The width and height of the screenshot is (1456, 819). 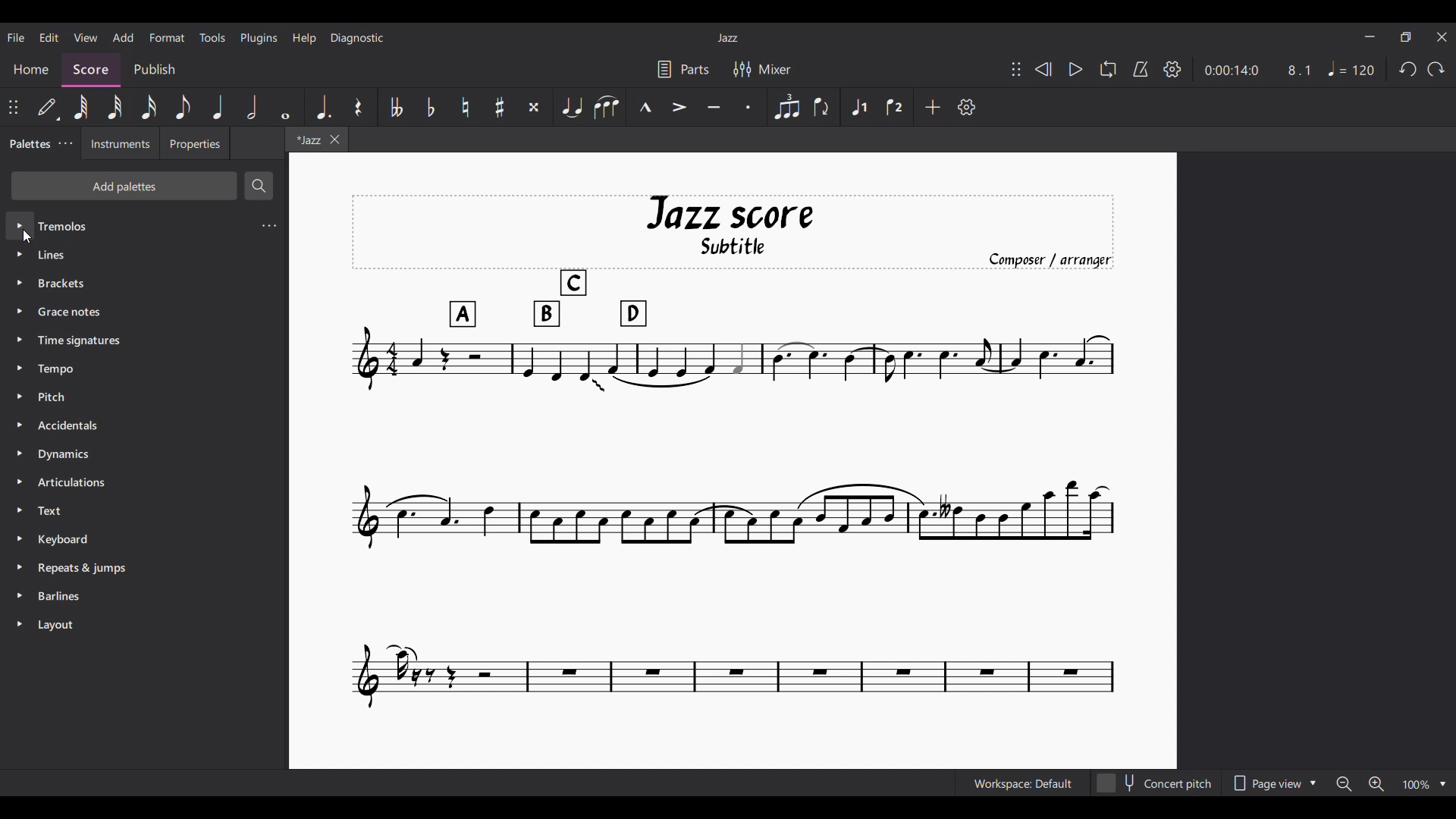 I want to click on 8th note, so click(x=183, y=106).